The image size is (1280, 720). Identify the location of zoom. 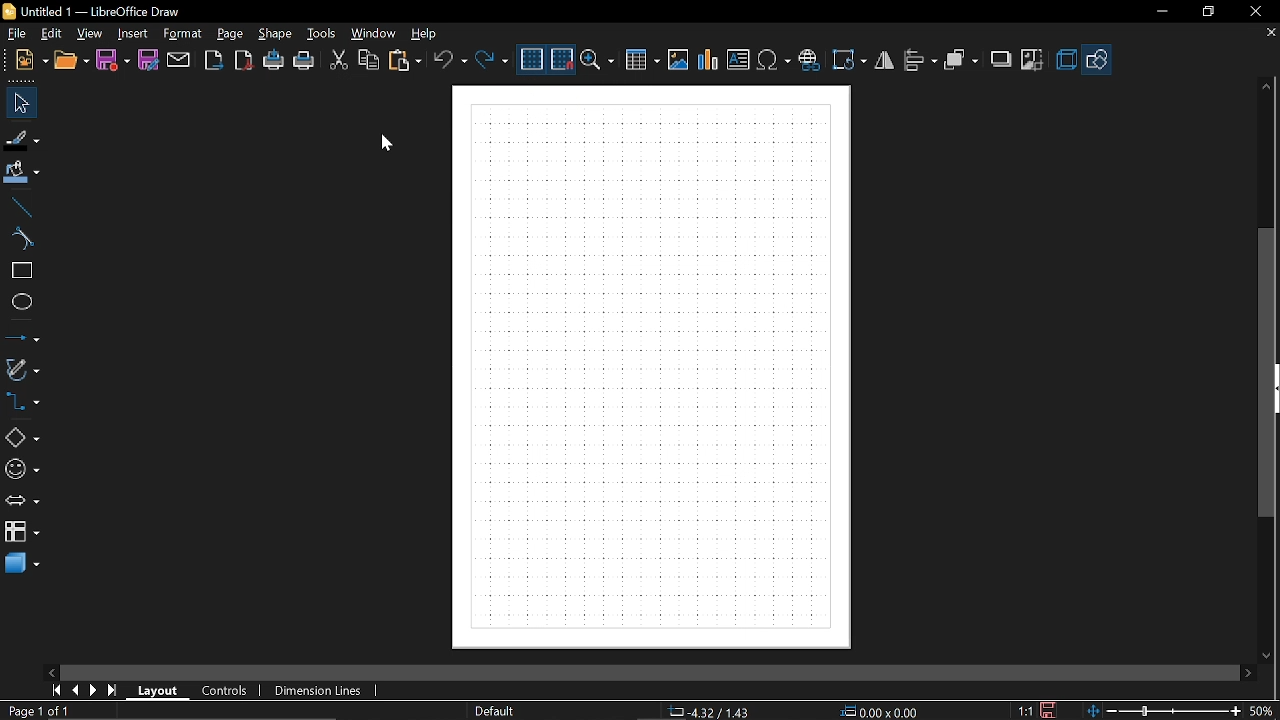
(599, 61).